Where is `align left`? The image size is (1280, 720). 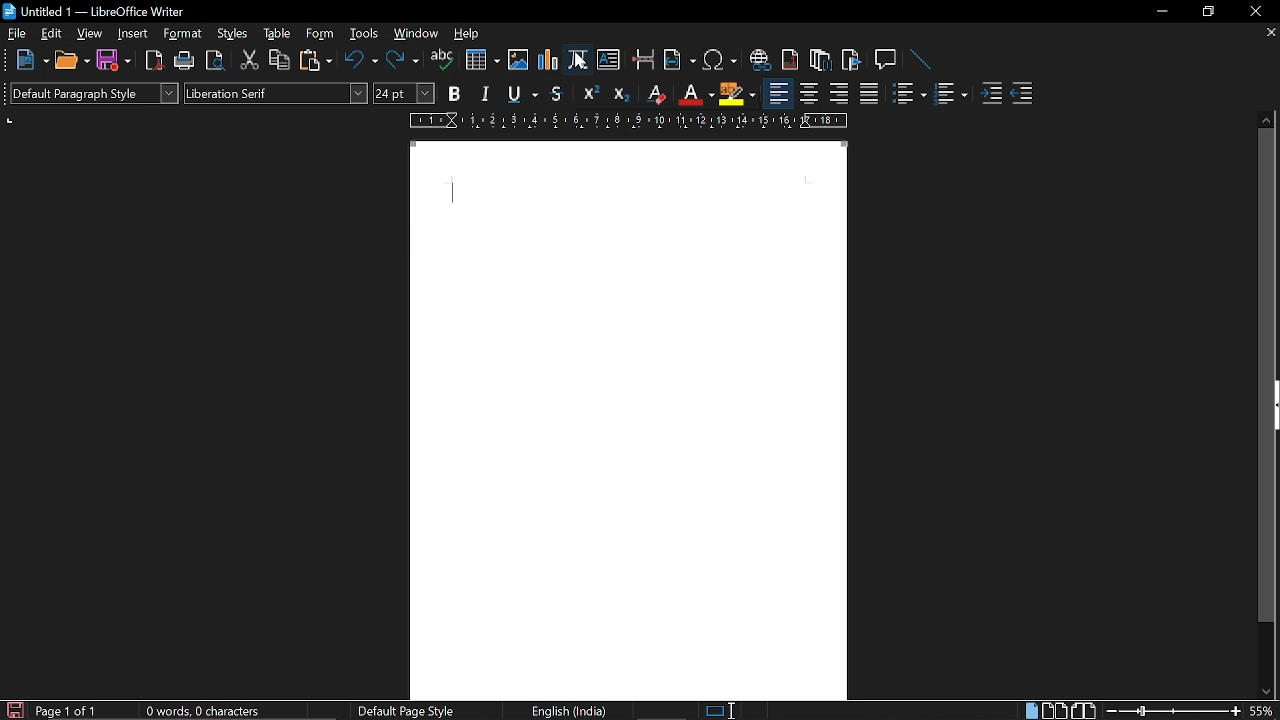 align left is located at coordinates (778, 93).